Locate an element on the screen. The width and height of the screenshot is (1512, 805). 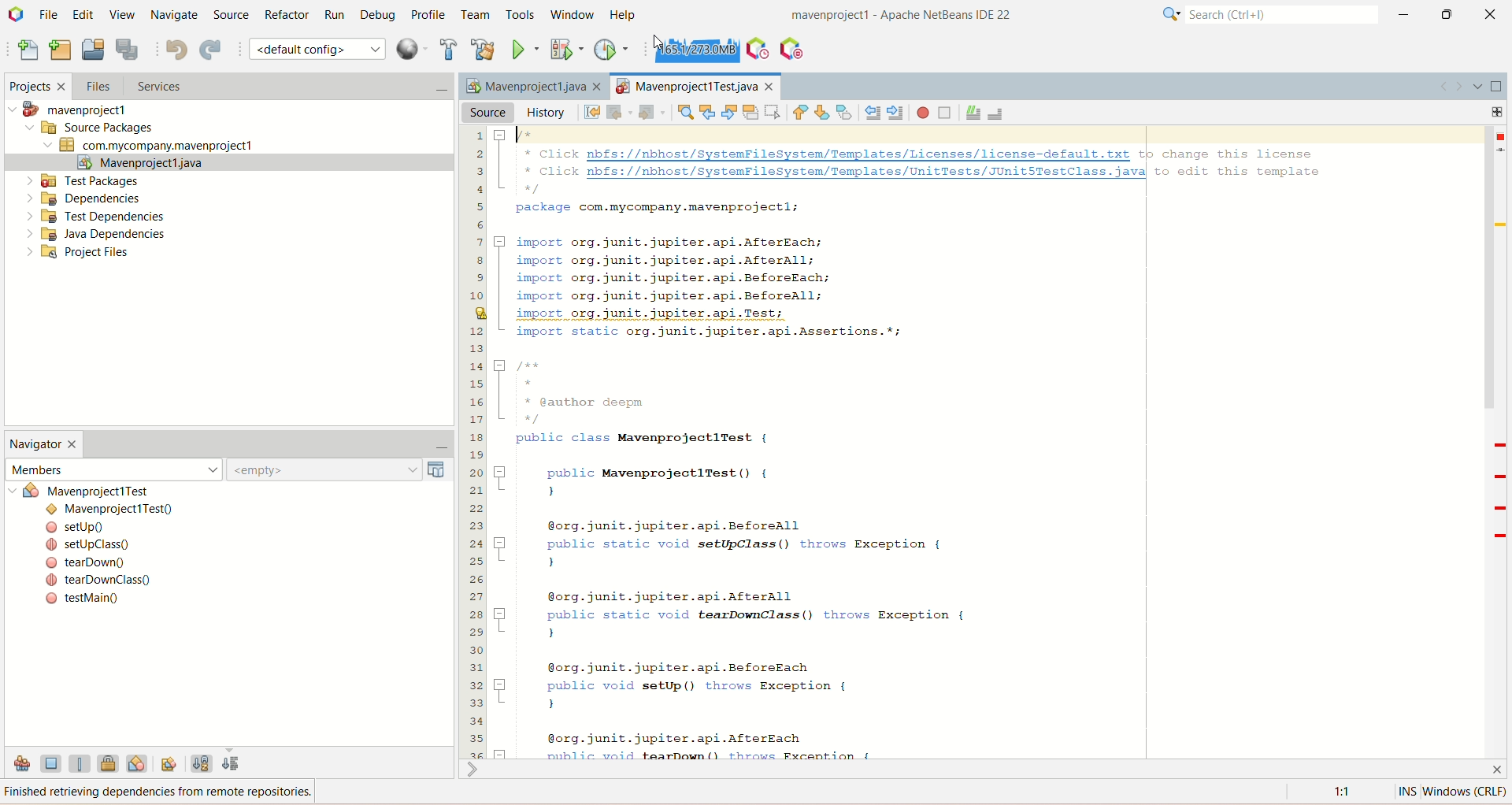
view is located at coordinates (119, 13).